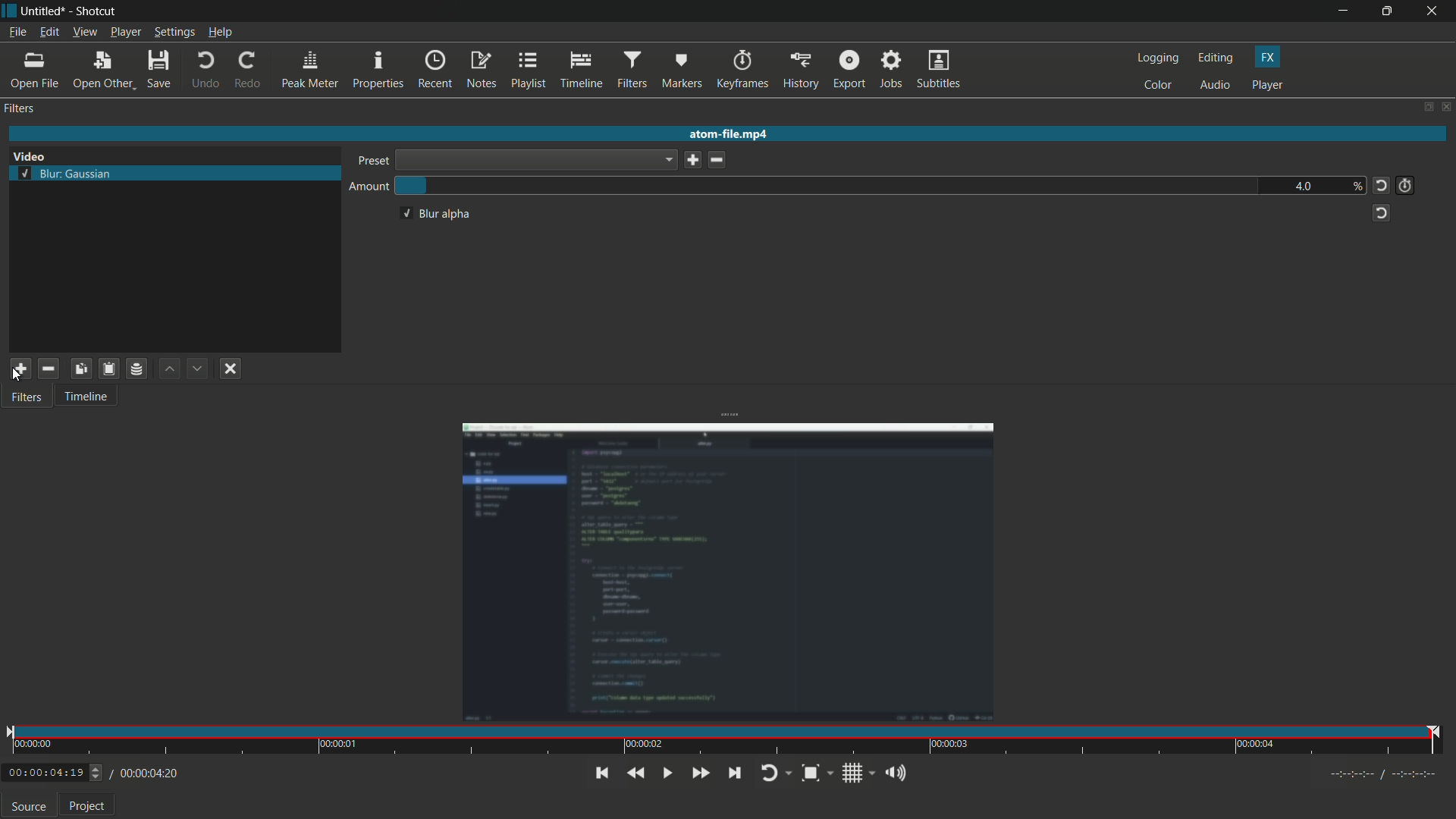 Image resolution: width=1456 pixels, height=819 pixels. What do you see at coordinates (162, 71) in the screenshot?
I see `save` at bounding box center [162, 71].